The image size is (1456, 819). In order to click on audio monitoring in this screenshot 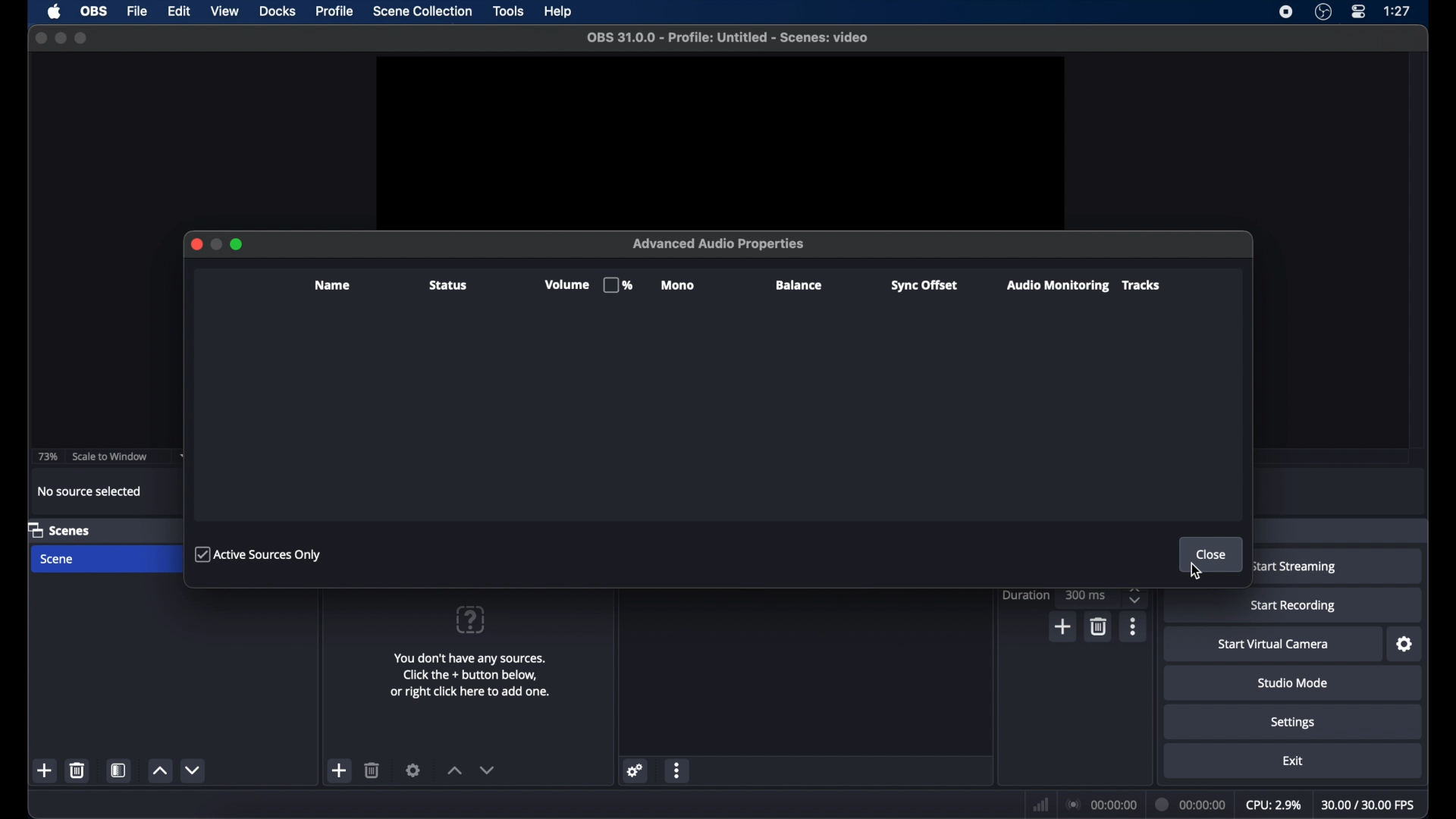, I will do `click(1056, 286)`.